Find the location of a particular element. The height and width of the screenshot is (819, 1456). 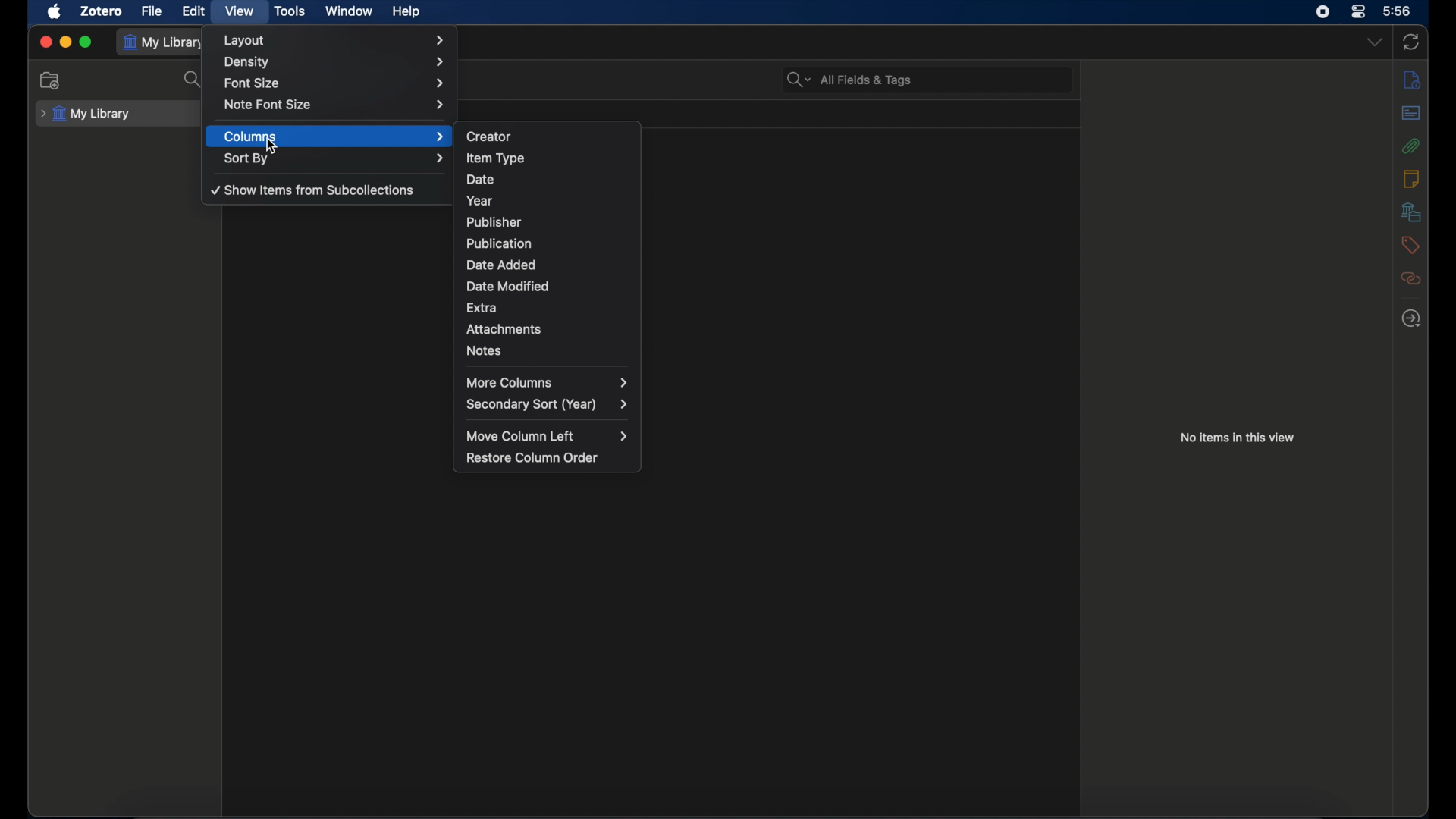

date is located at coordinates (548, 179).